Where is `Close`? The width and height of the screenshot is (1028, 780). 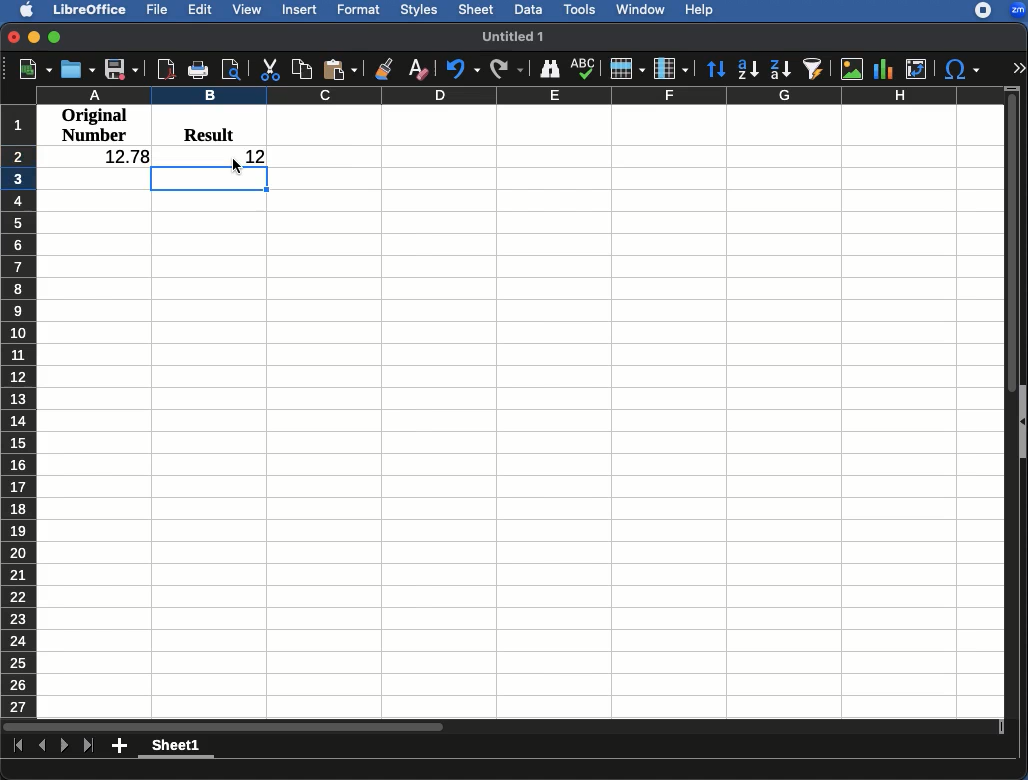
Close is located at coordinates (12, 39).